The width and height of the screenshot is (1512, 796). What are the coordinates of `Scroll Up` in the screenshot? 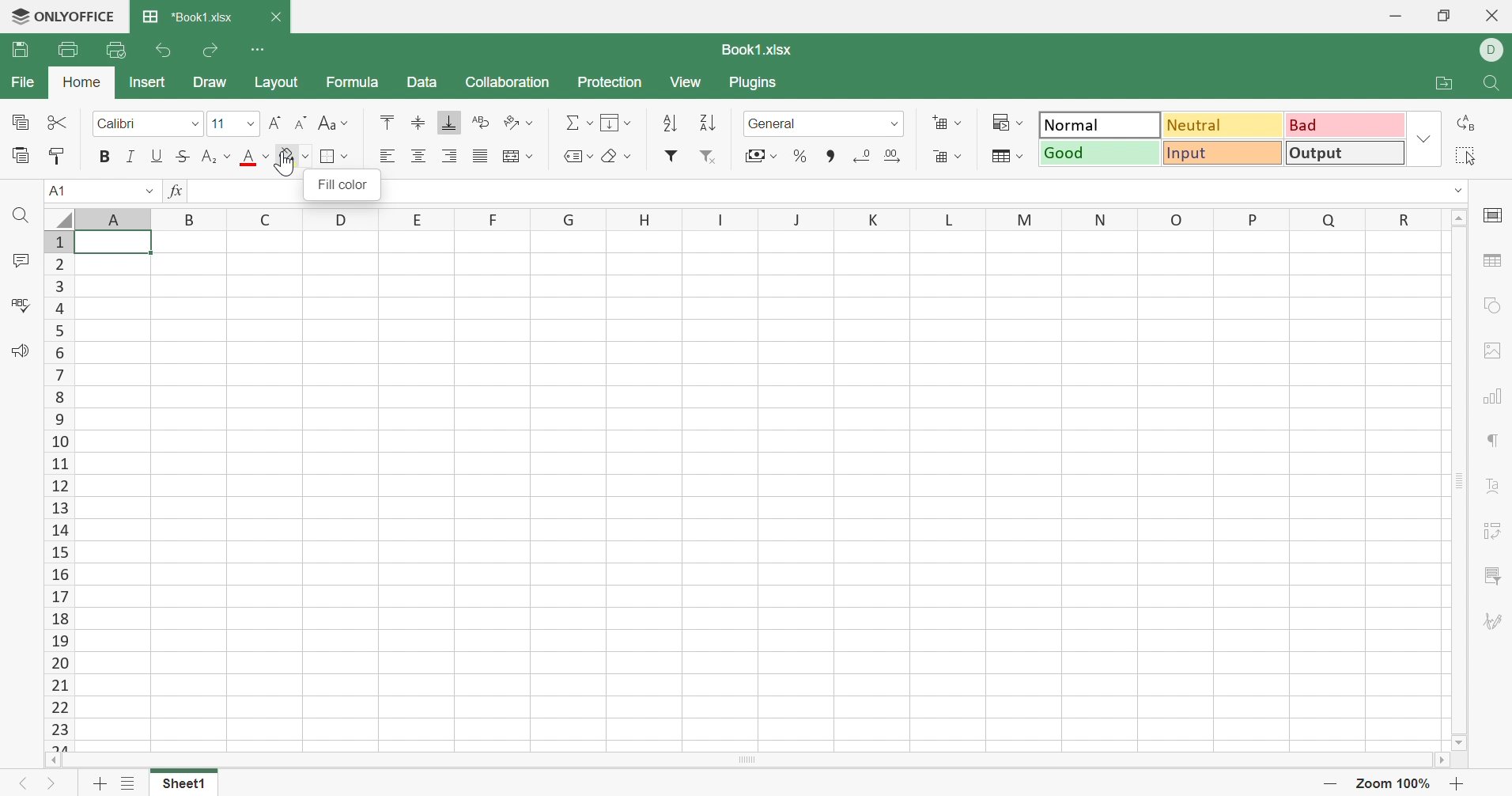 It's located at (1458, 216).